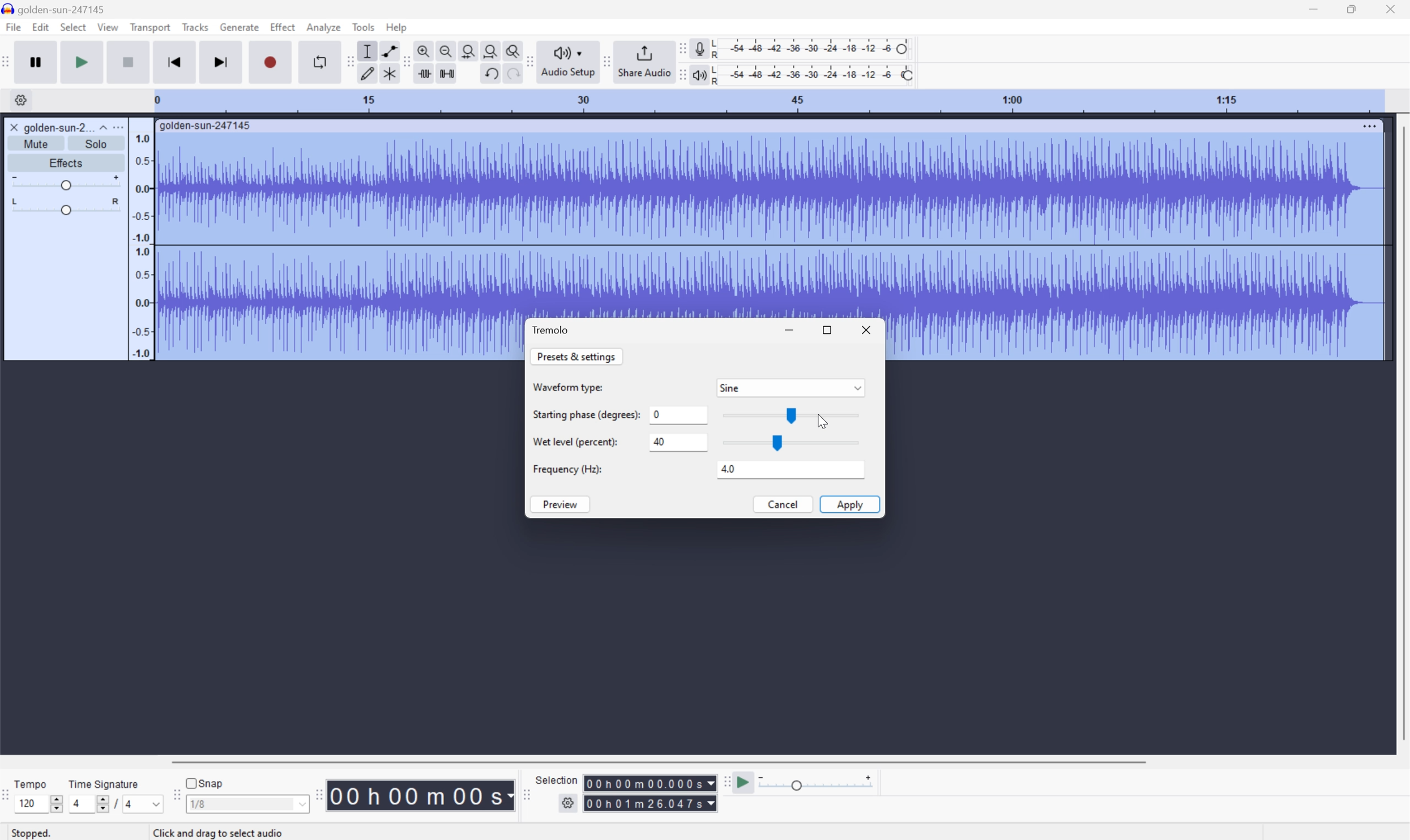  Describe the element at coordinates (567, 804) in the screenshot. I see `Settings` at that location.